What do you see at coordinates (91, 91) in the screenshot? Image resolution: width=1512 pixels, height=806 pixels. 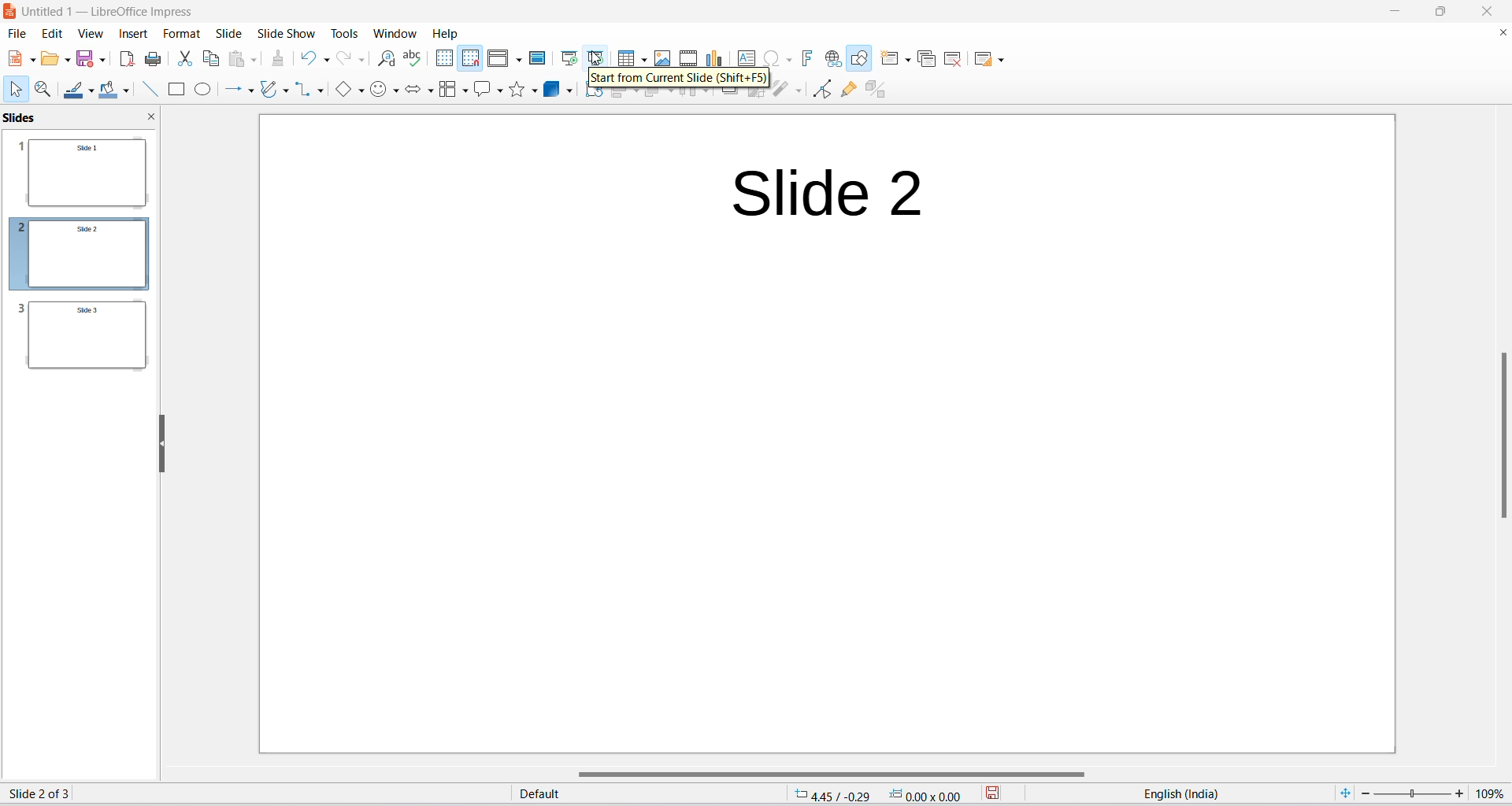 I see `line color options` at bounding box center [91, 91].